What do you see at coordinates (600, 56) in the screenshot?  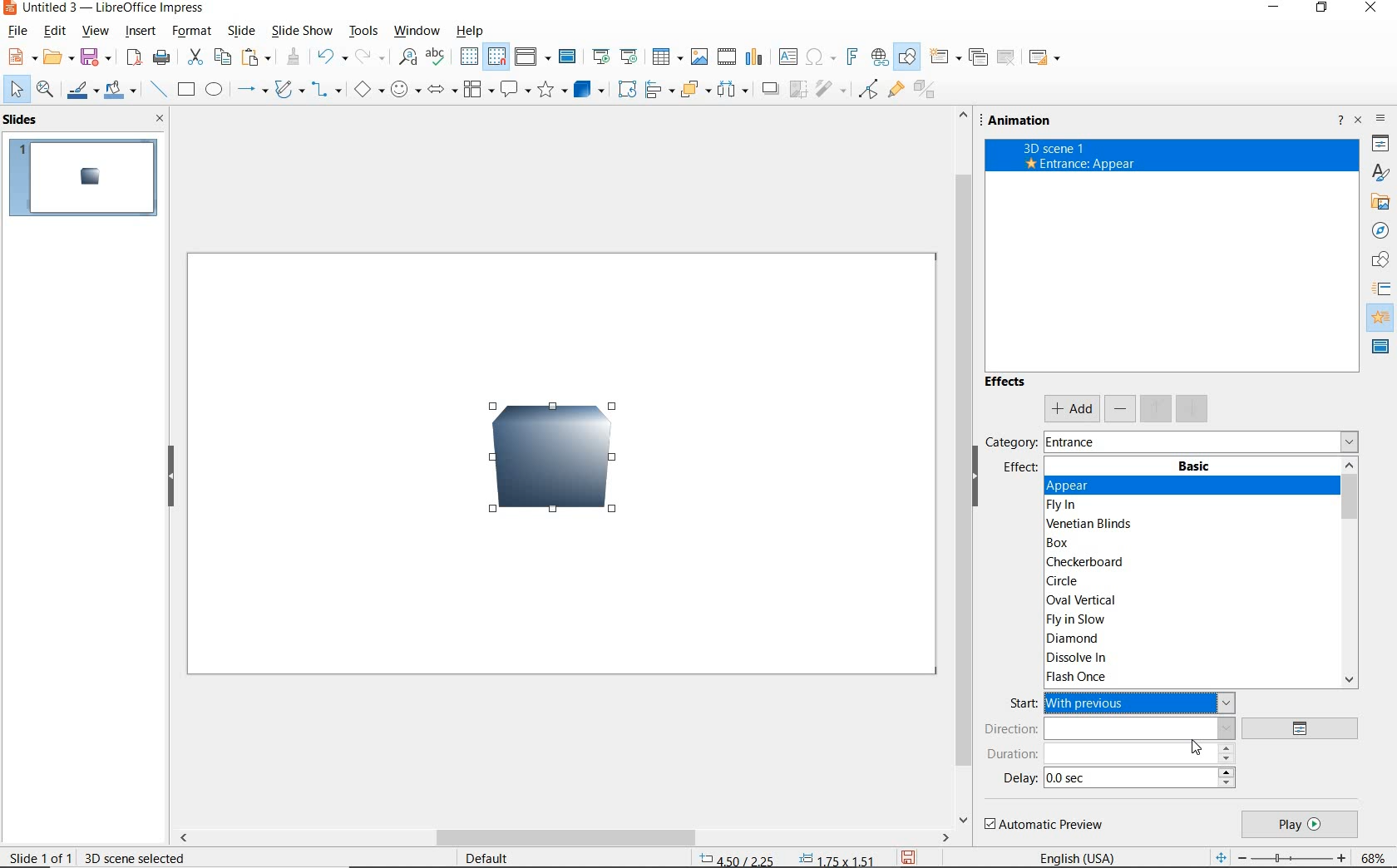 I see `start from previous slide` at bounding box center [600, 56].